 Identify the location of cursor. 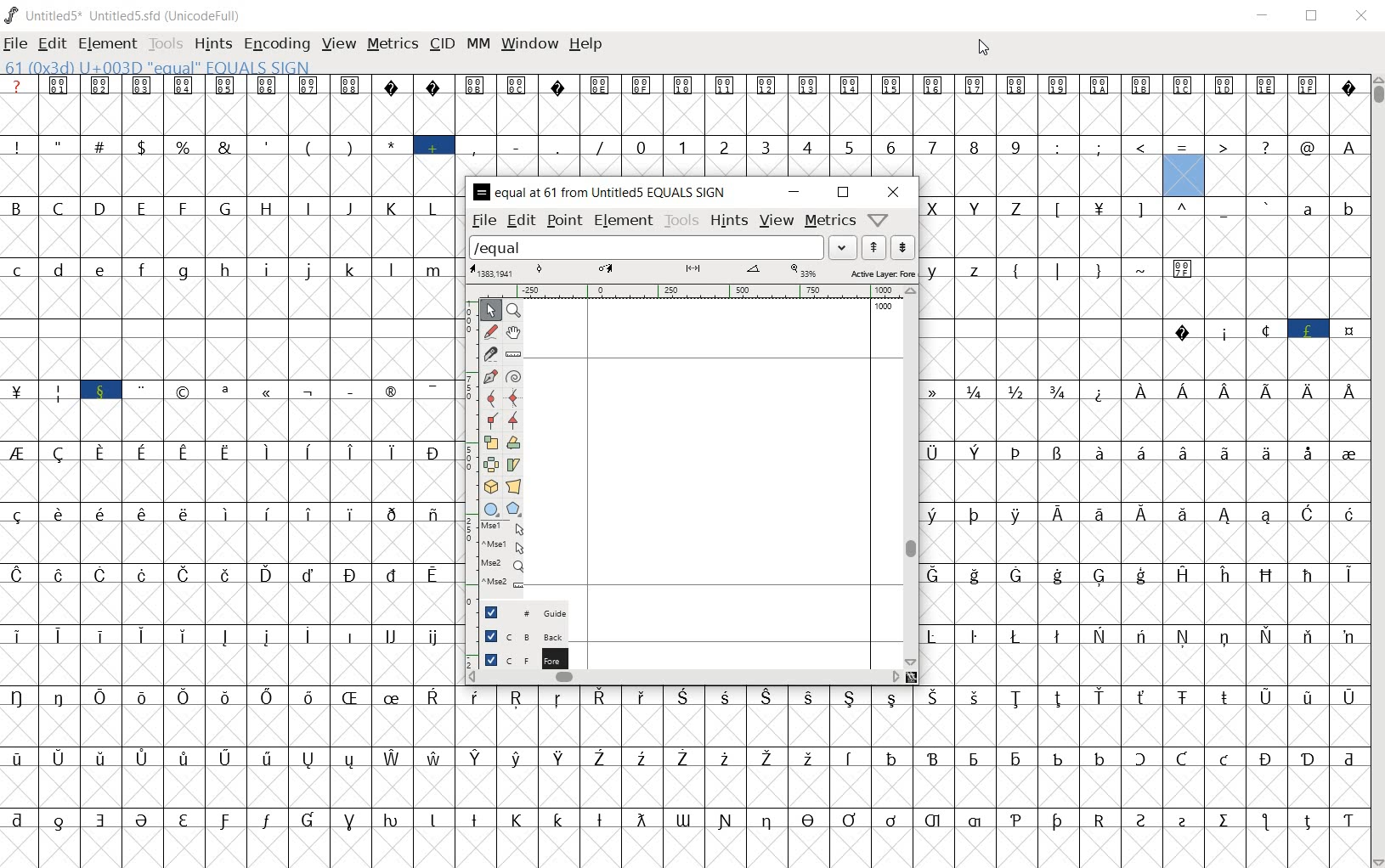
(983, 49).